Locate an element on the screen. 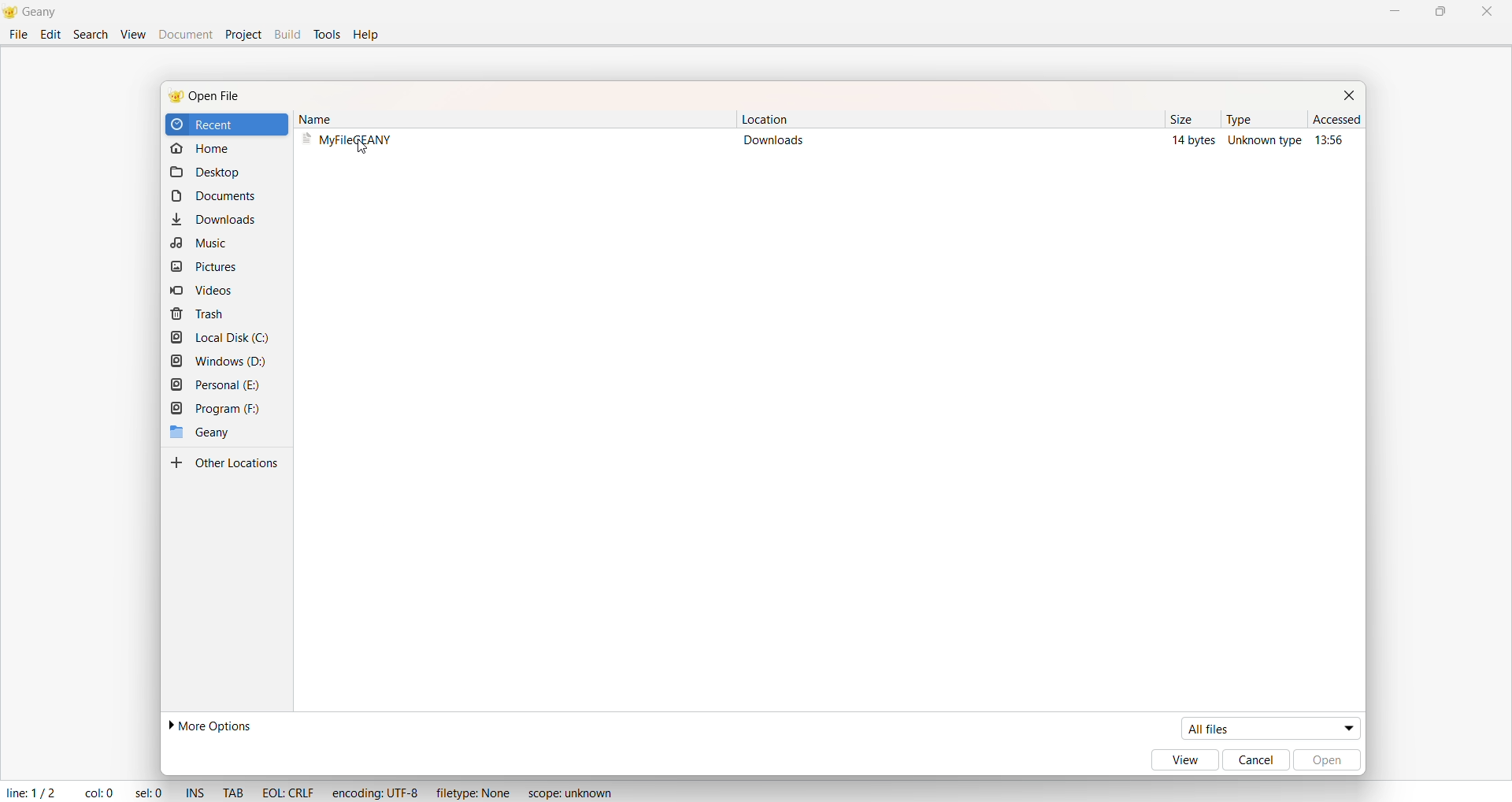 This screenshot has width=1512, height=802. open is located at coordinates (1332, 760).